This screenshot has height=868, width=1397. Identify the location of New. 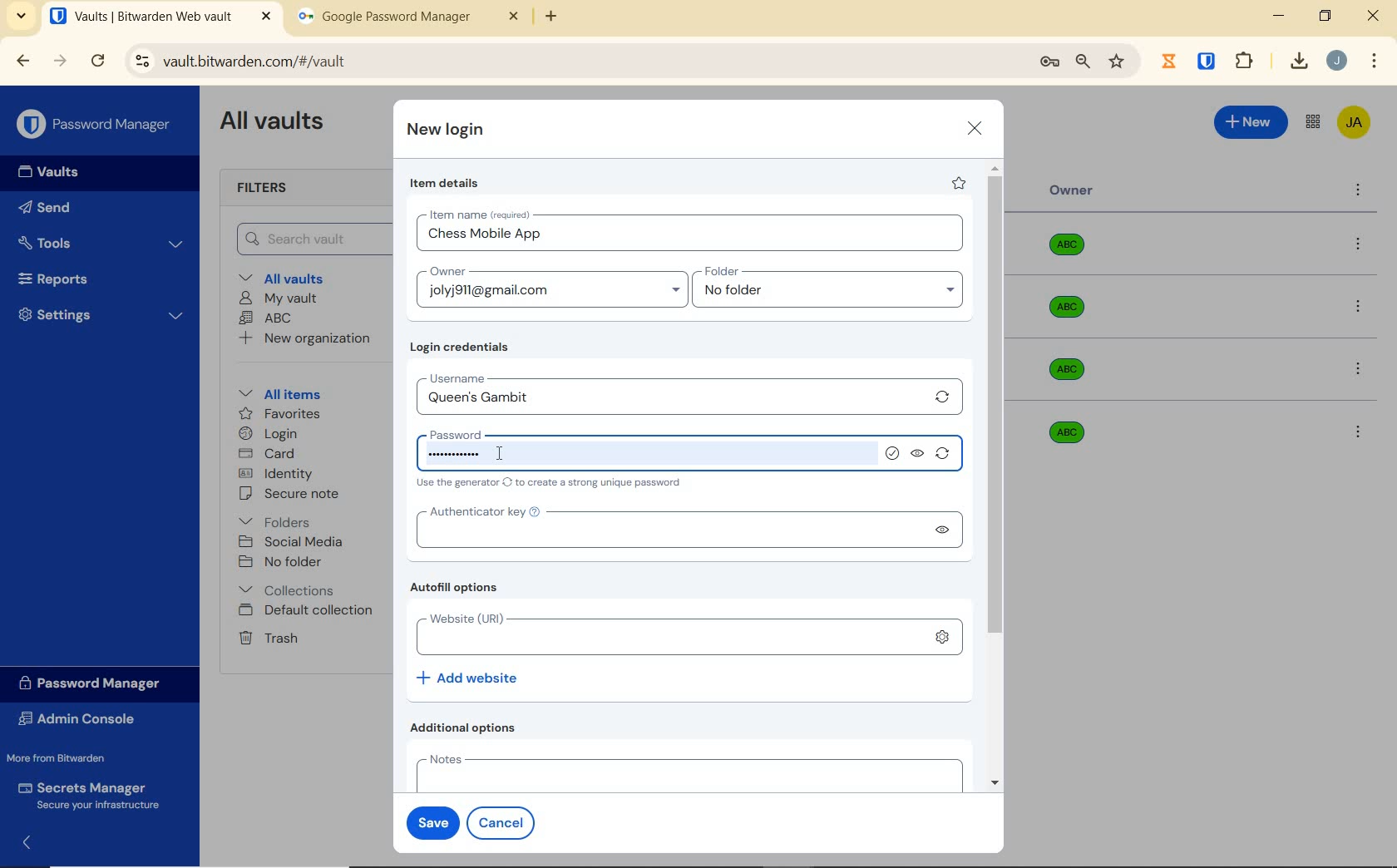
(1251, 120).